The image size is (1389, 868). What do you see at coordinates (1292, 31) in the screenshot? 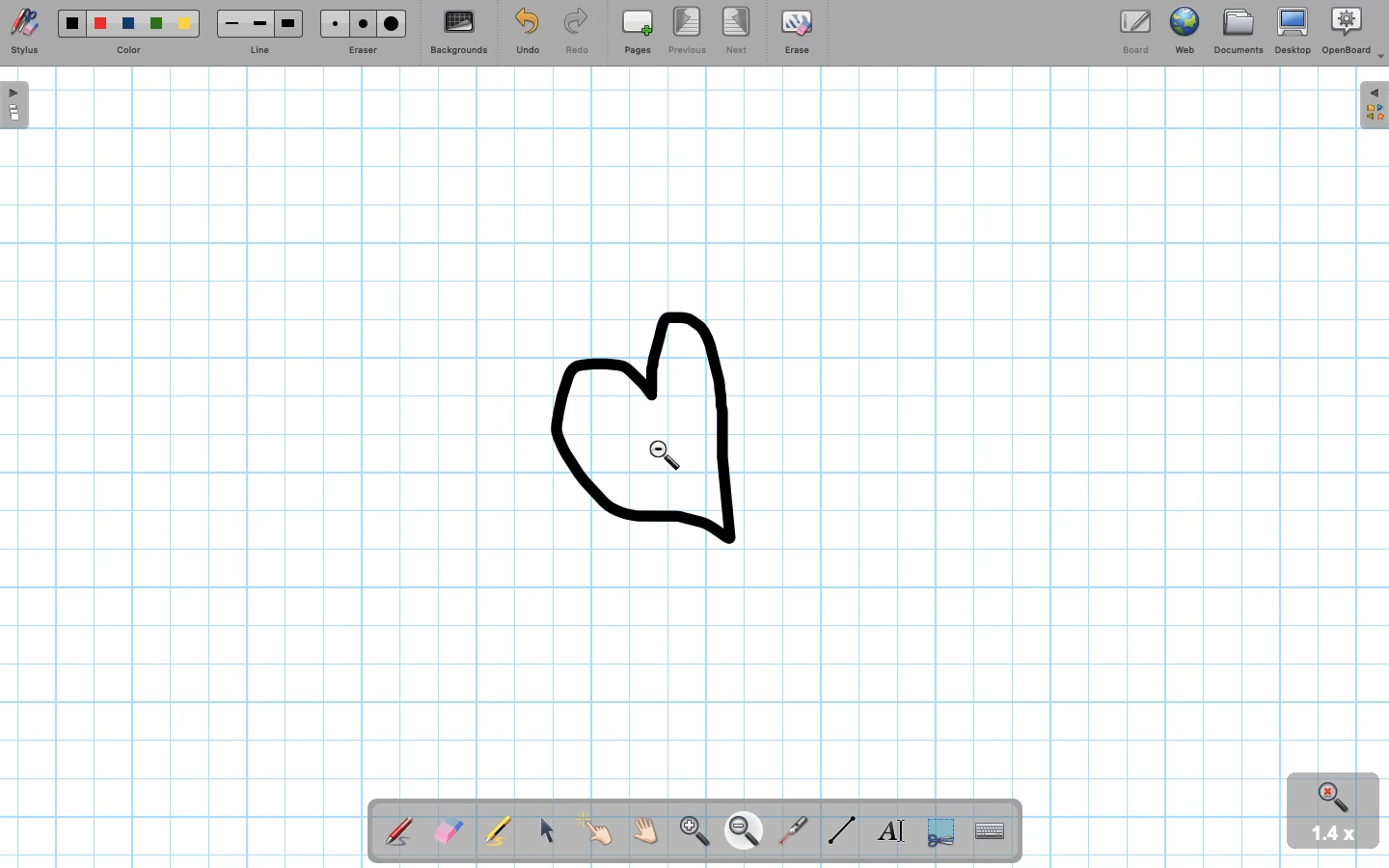
I see `Desktop` at bounding box center [1292, 31].